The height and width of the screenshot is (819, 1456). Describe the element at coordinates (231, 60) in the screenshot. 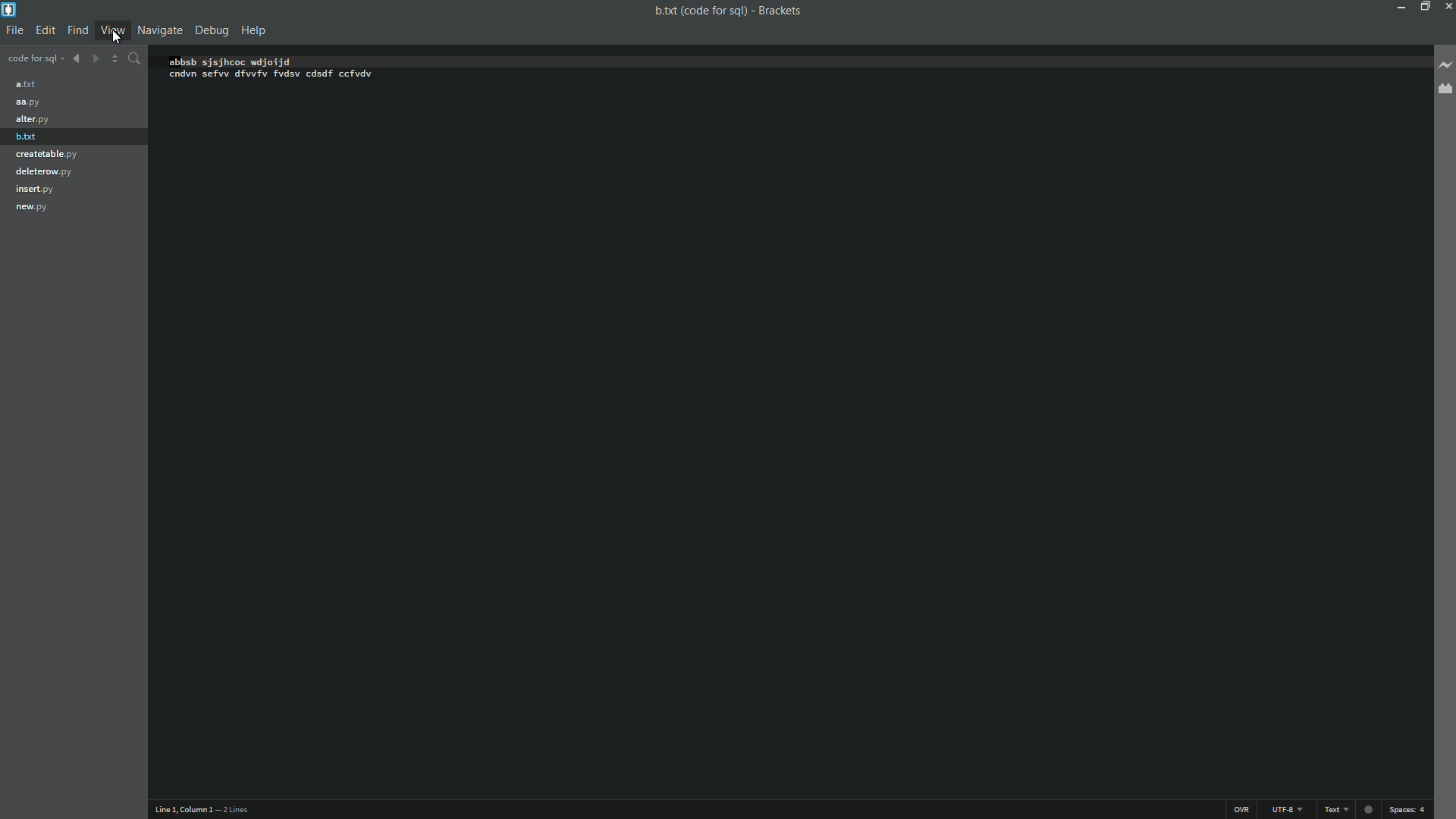

I see `abbsb sjsjhcoc wdjoijd` at that location.